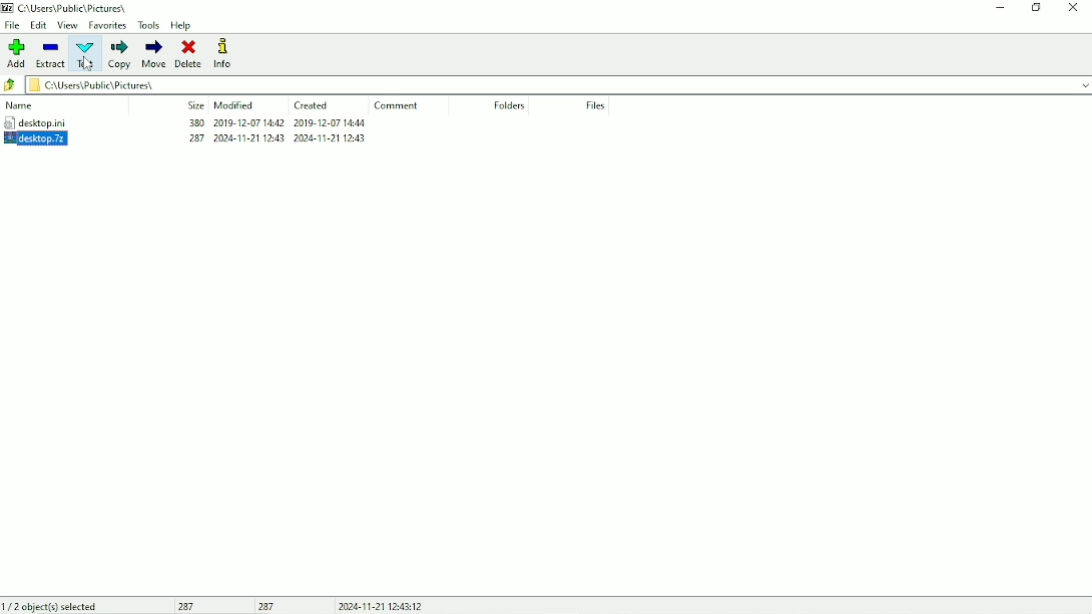 This screenshot has height=614, width=1092. What do you see at coordinates (10, 86) in the screenshot?
I see `Back` at bounding box center [10, 86].